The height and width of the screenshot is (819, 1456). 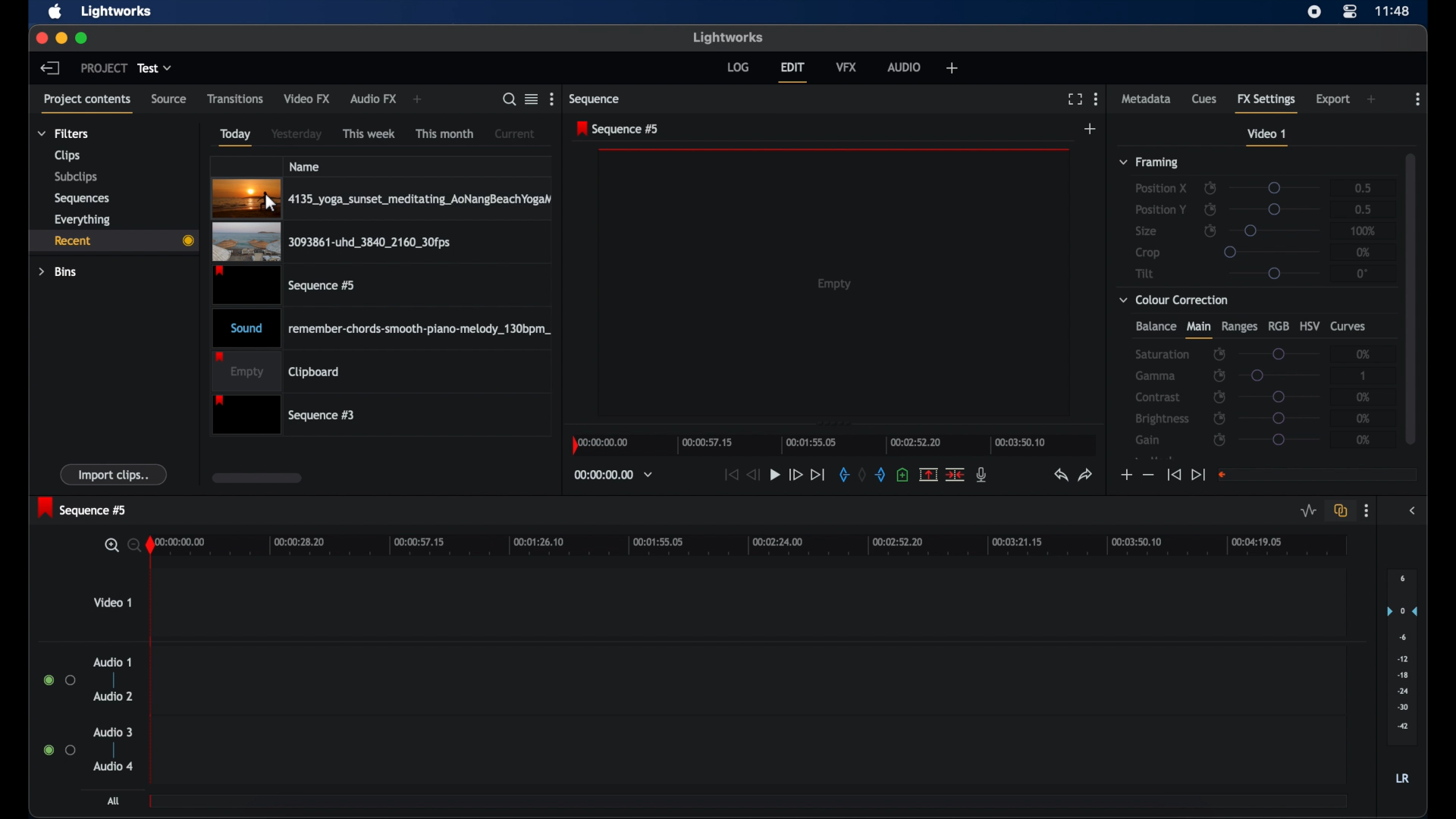 I want to click on sequences, so click(x=82, y=197).